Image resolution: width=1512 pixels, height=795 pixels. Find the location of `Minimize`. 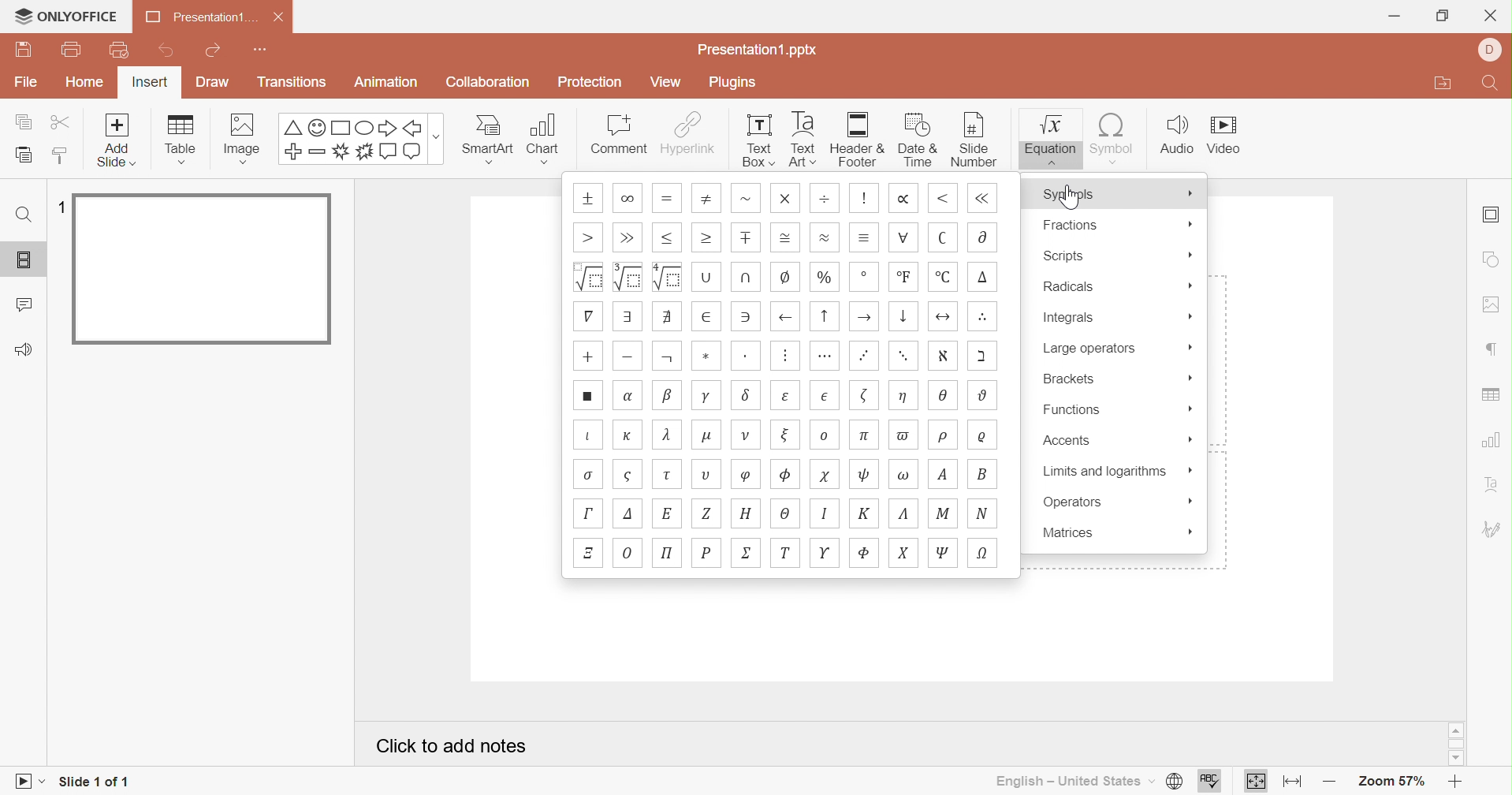

Minimize is located at coordinates (1395, 14).